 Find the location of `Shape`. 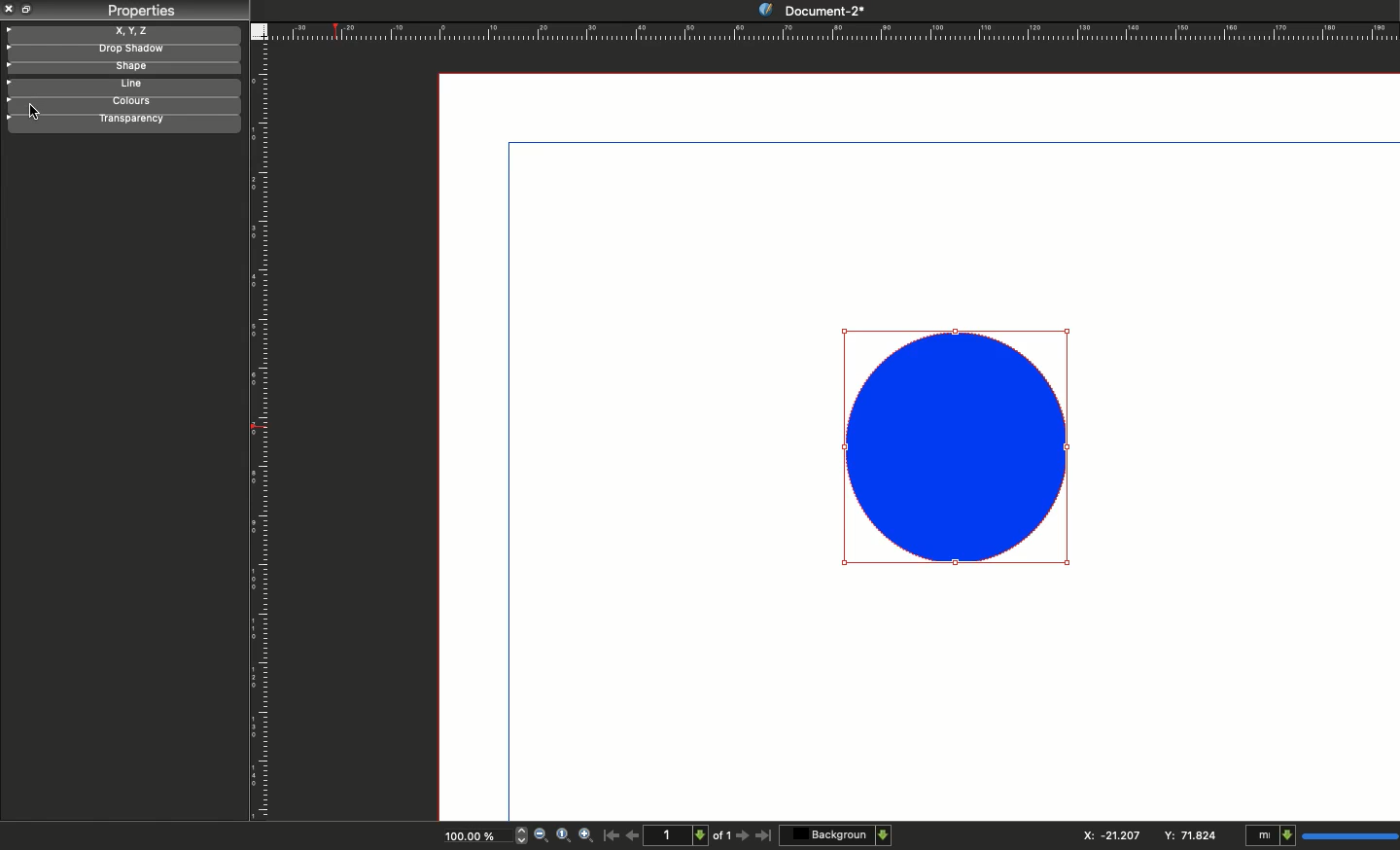

Shape is located at coordinates (960, 446).